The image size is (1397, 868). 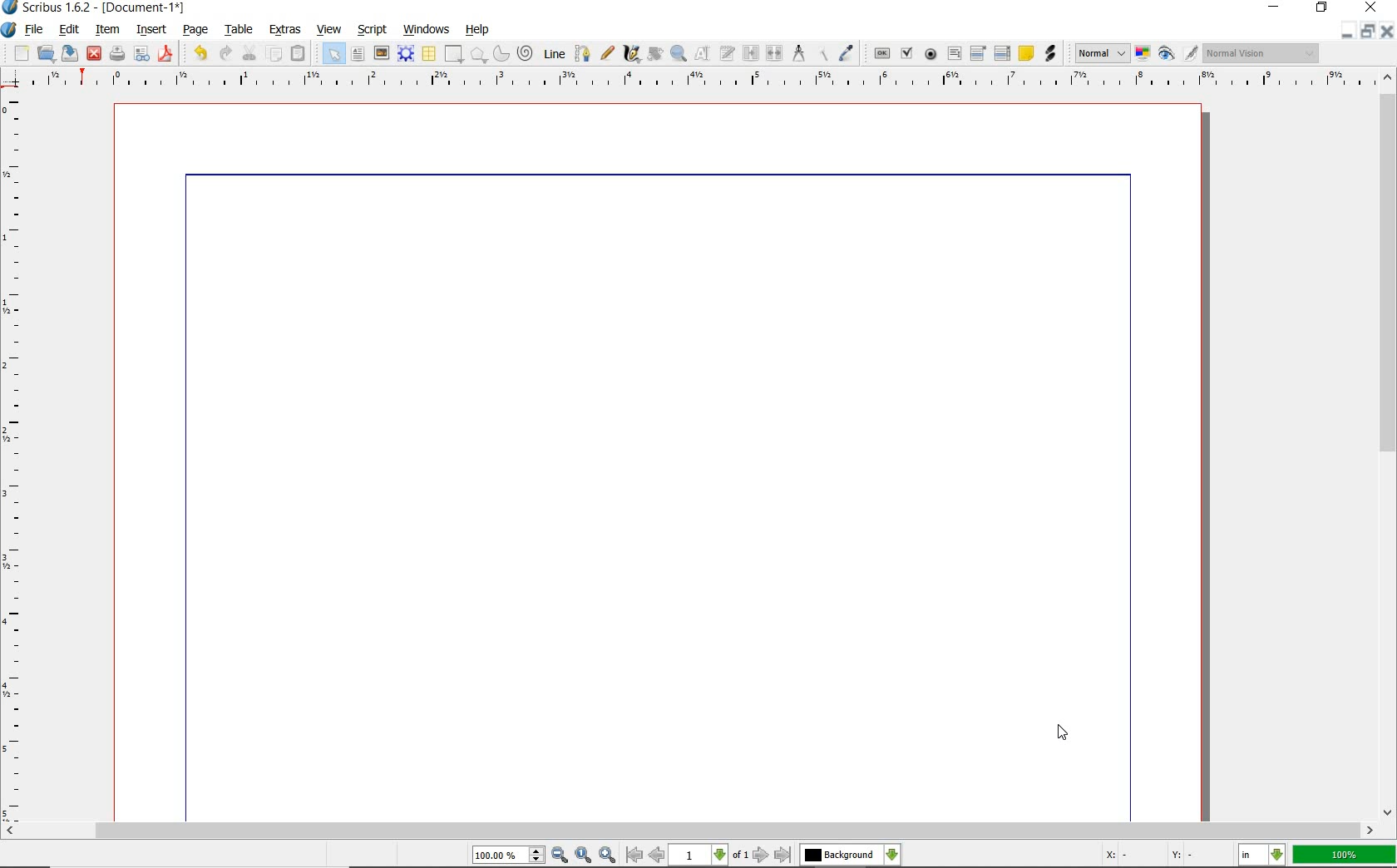 What do you see at coordinates (382, 52) in the screenshot?
I see `image frame` at bounding box center [382, 52].